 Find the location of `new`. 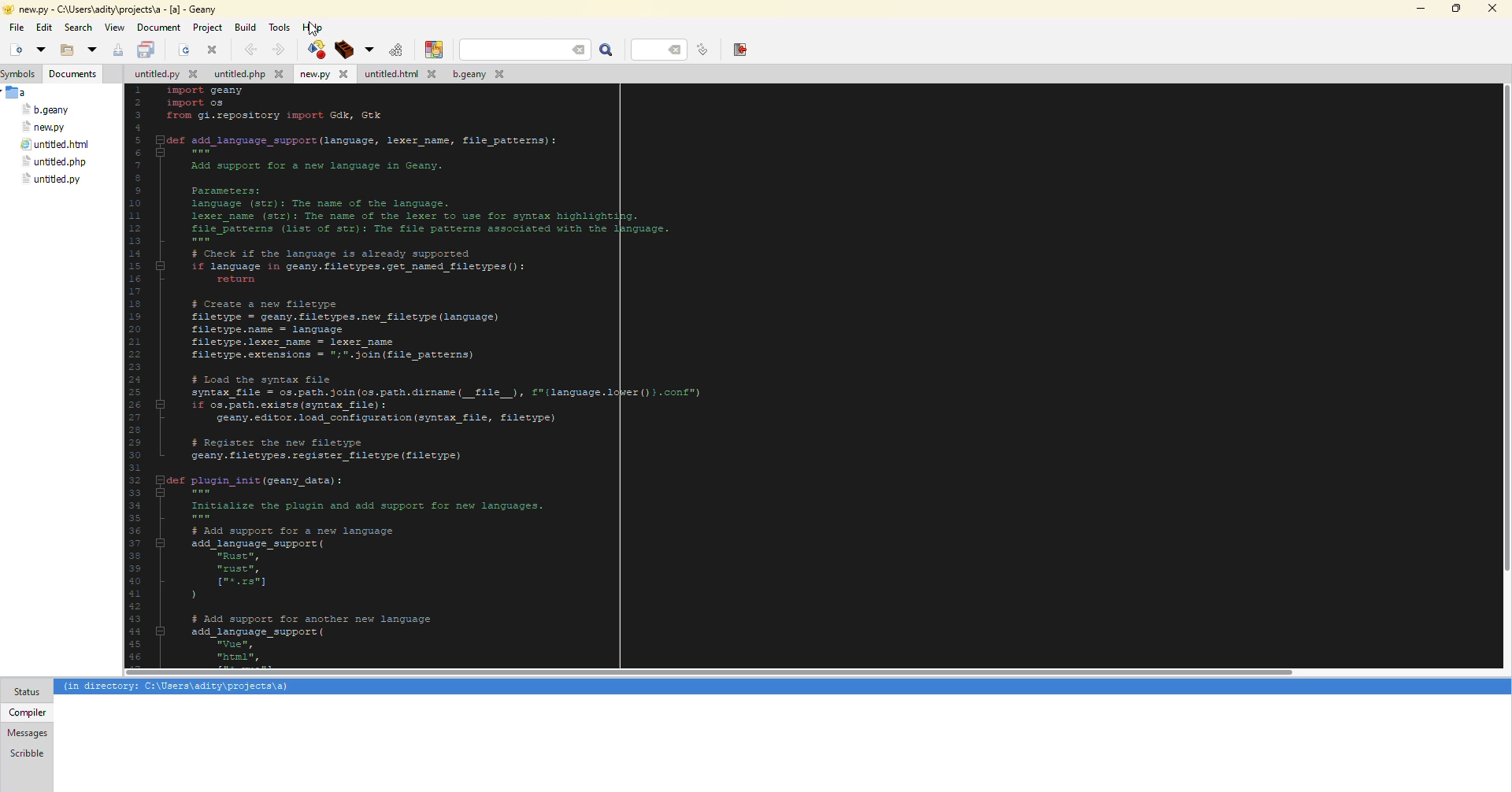

new is located at coordinates (14, 50).